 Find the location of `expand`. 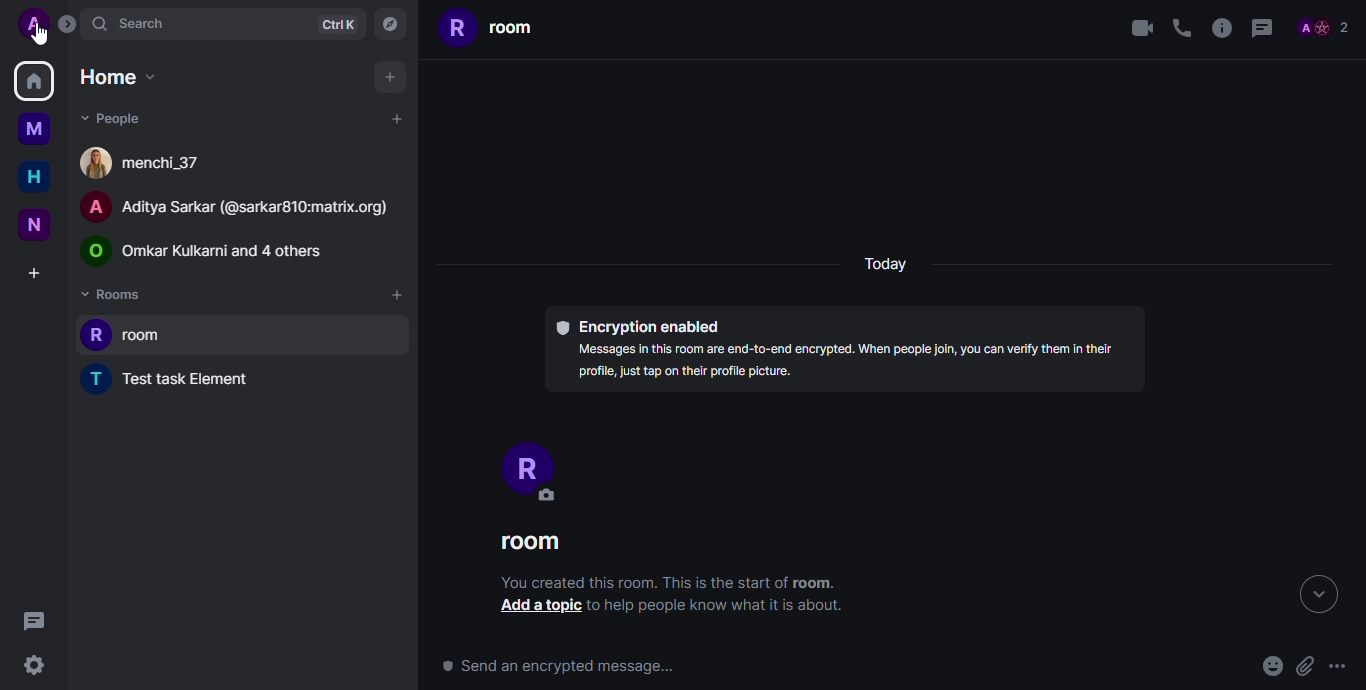

expand is located at coordinates (1317, 595).